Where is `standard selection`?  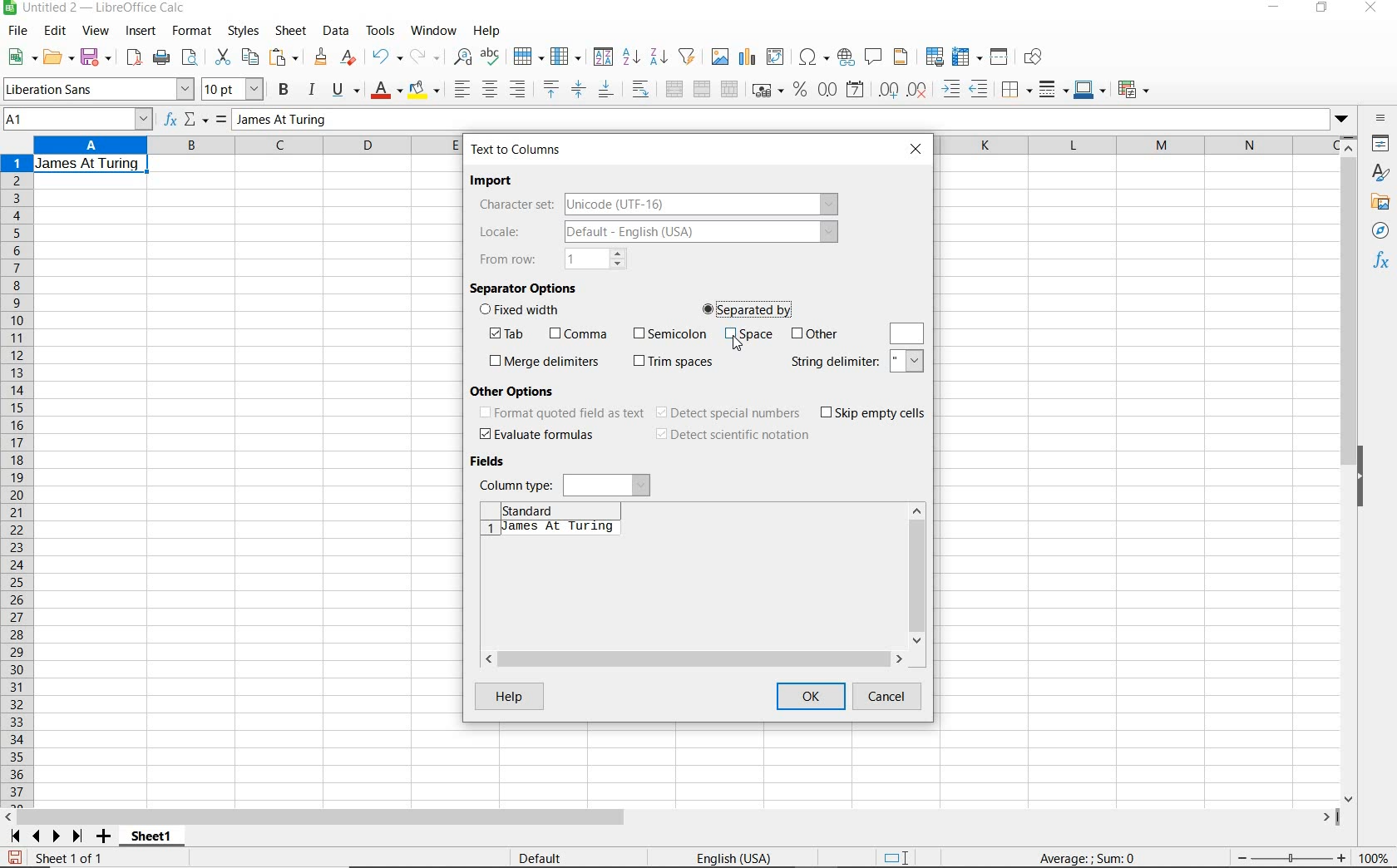
standard selection is located at coordinates (899, 856).